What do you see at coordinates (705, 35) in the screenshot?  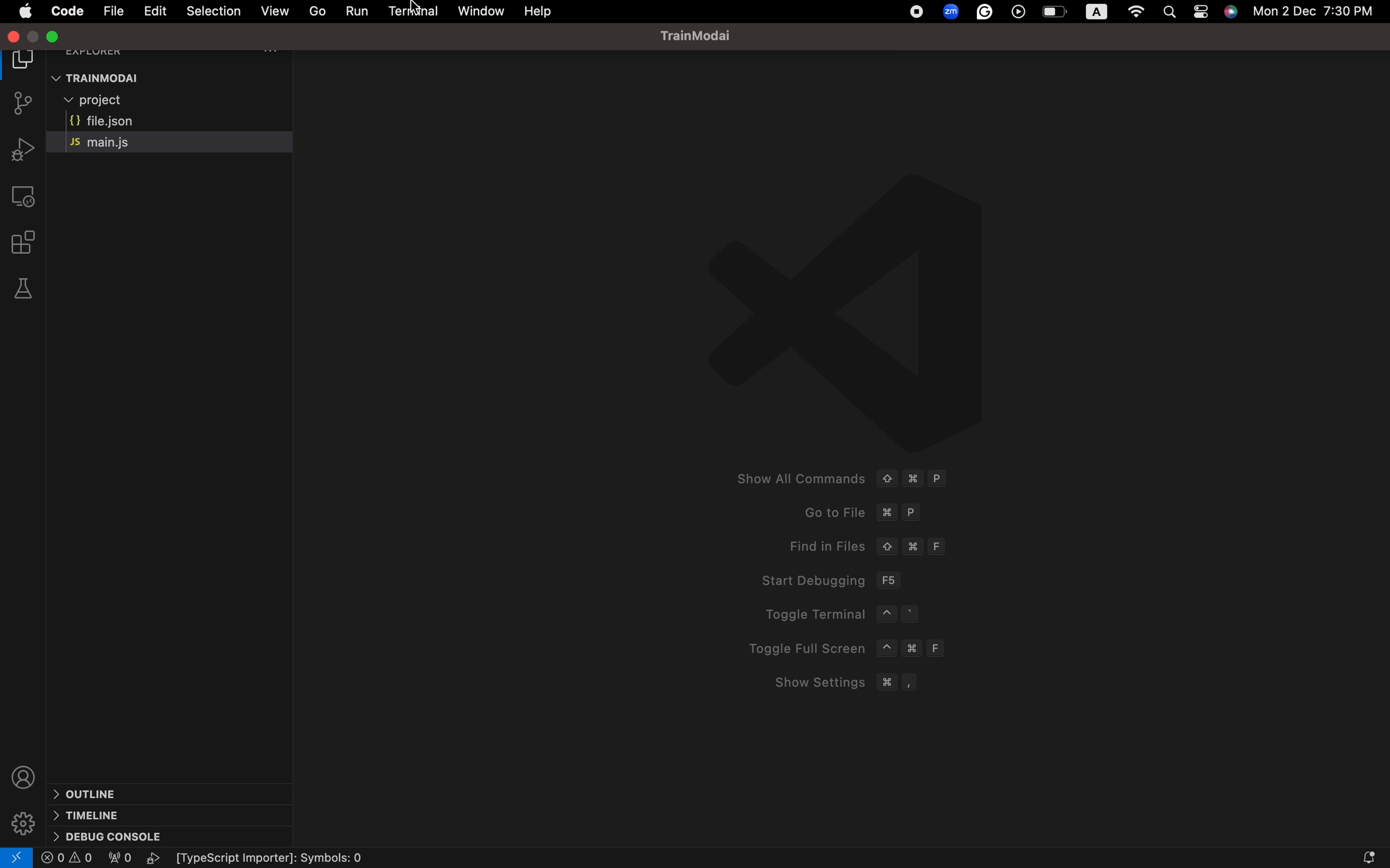 I see `project name` at bounding box center [705, 35].